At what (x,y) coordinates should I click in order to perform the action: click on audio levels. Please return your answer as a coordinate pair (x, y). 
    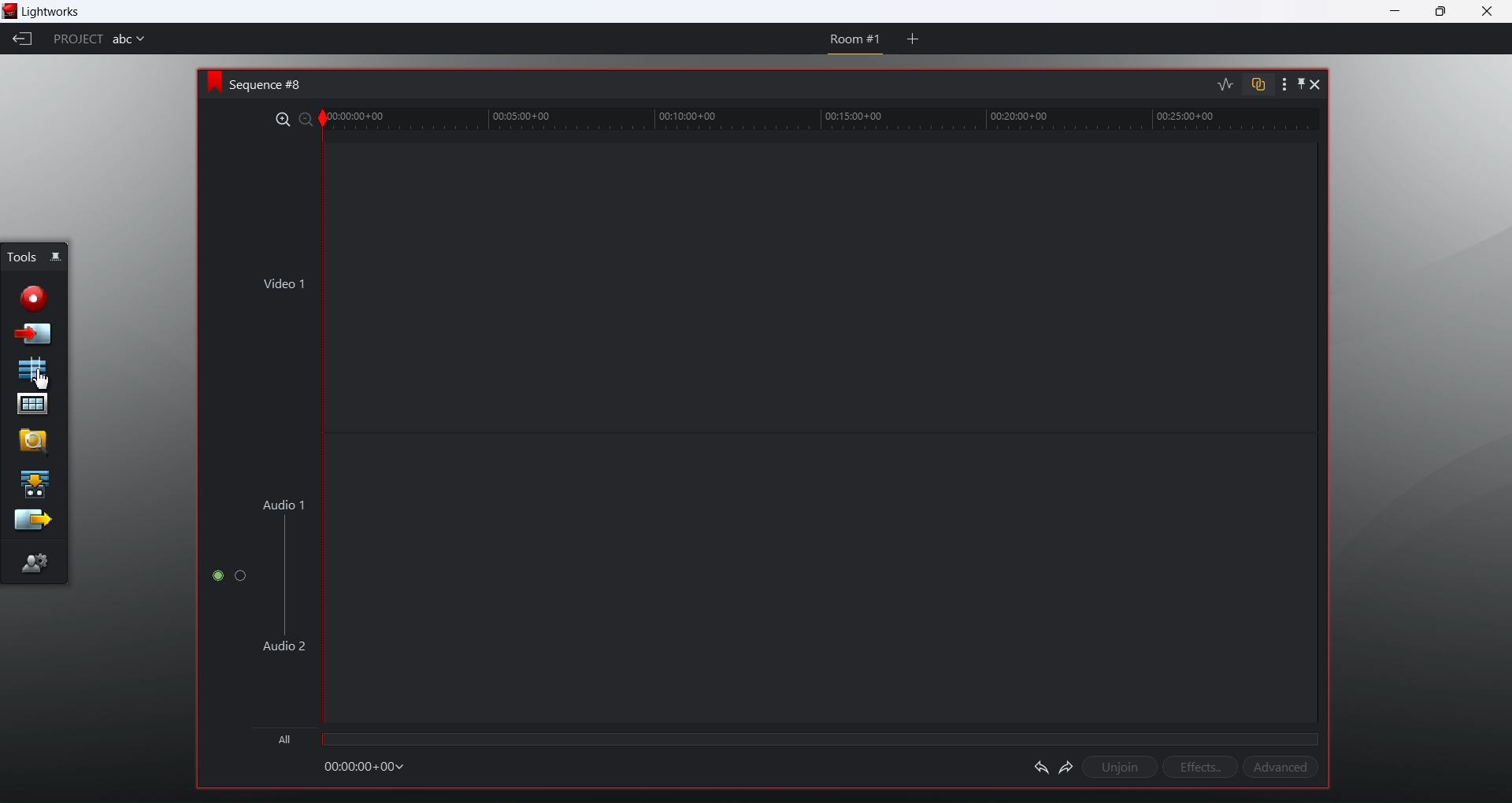
    Looking at the image, I should click on (1223, 84).